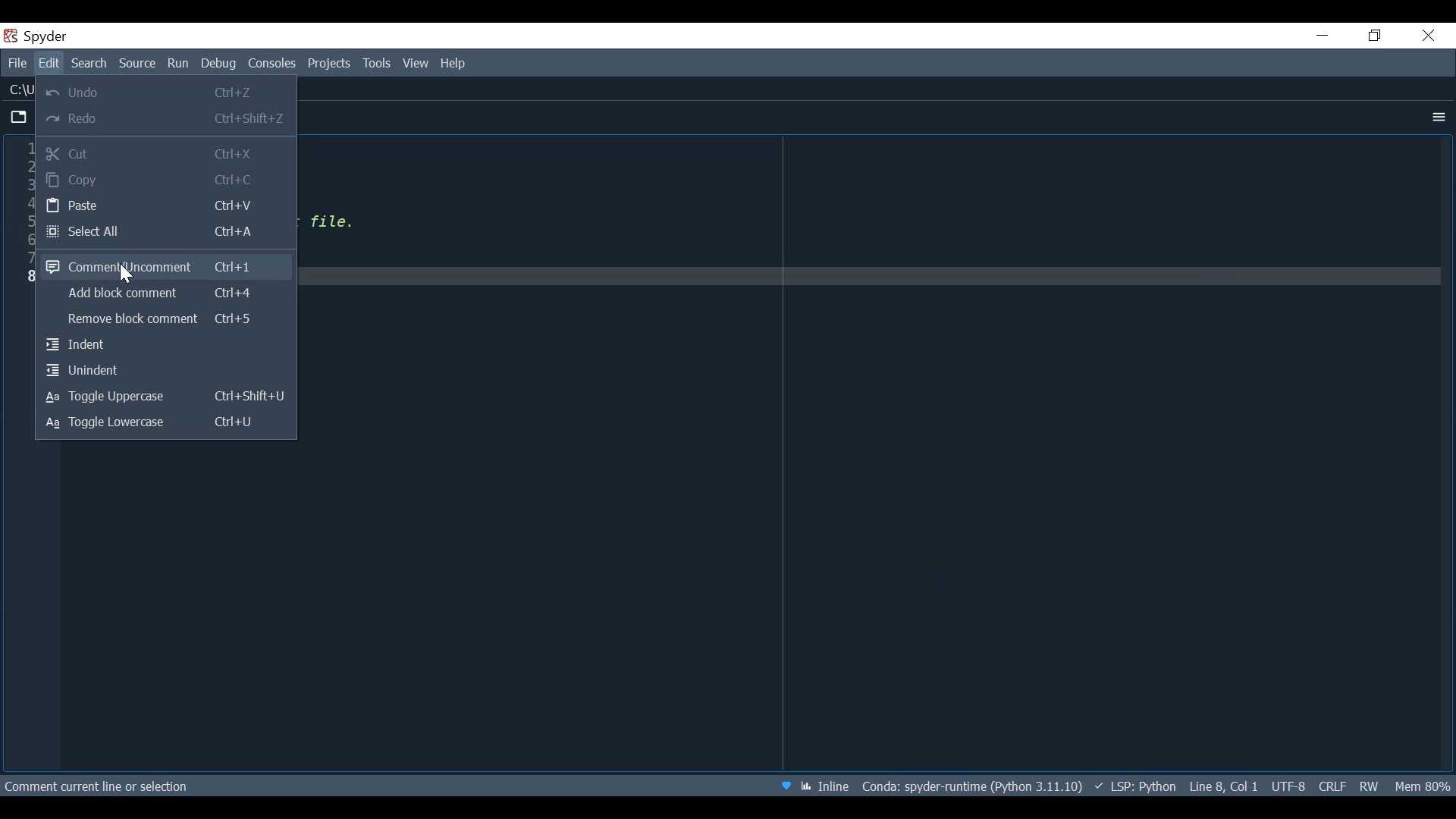 This screenshot has width=1456, height=819. What do you see at coordinates (1436, 117) in the screenshot?
I see `More Options` at bounding box center [1436, 117].